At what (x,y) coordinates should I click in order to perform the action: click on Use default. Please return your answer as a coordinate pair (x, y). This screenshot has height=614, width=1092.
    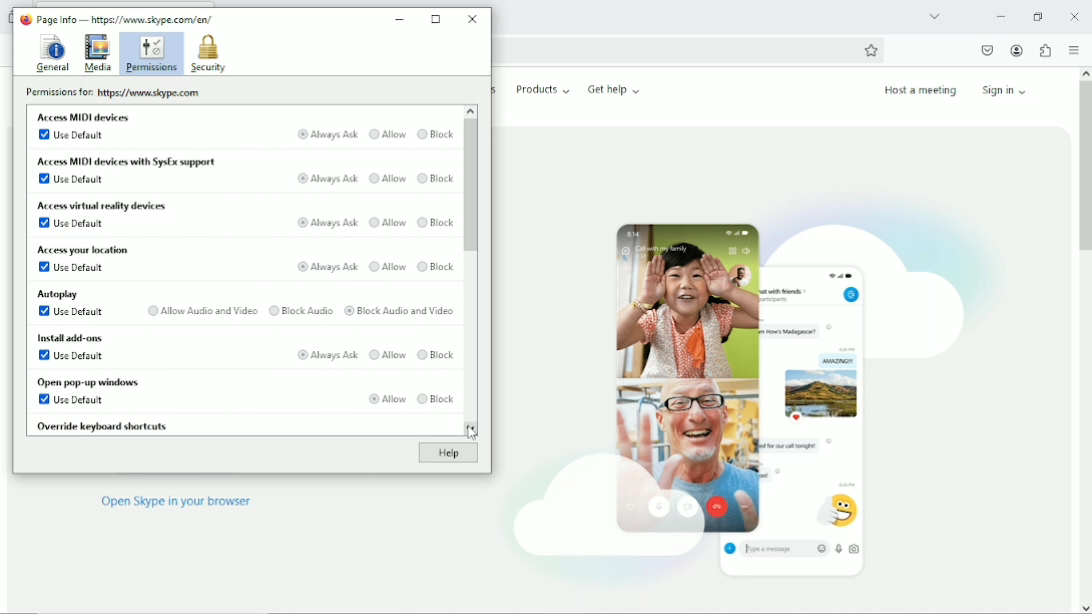
    Looking at the image, I should click on (72, 268).